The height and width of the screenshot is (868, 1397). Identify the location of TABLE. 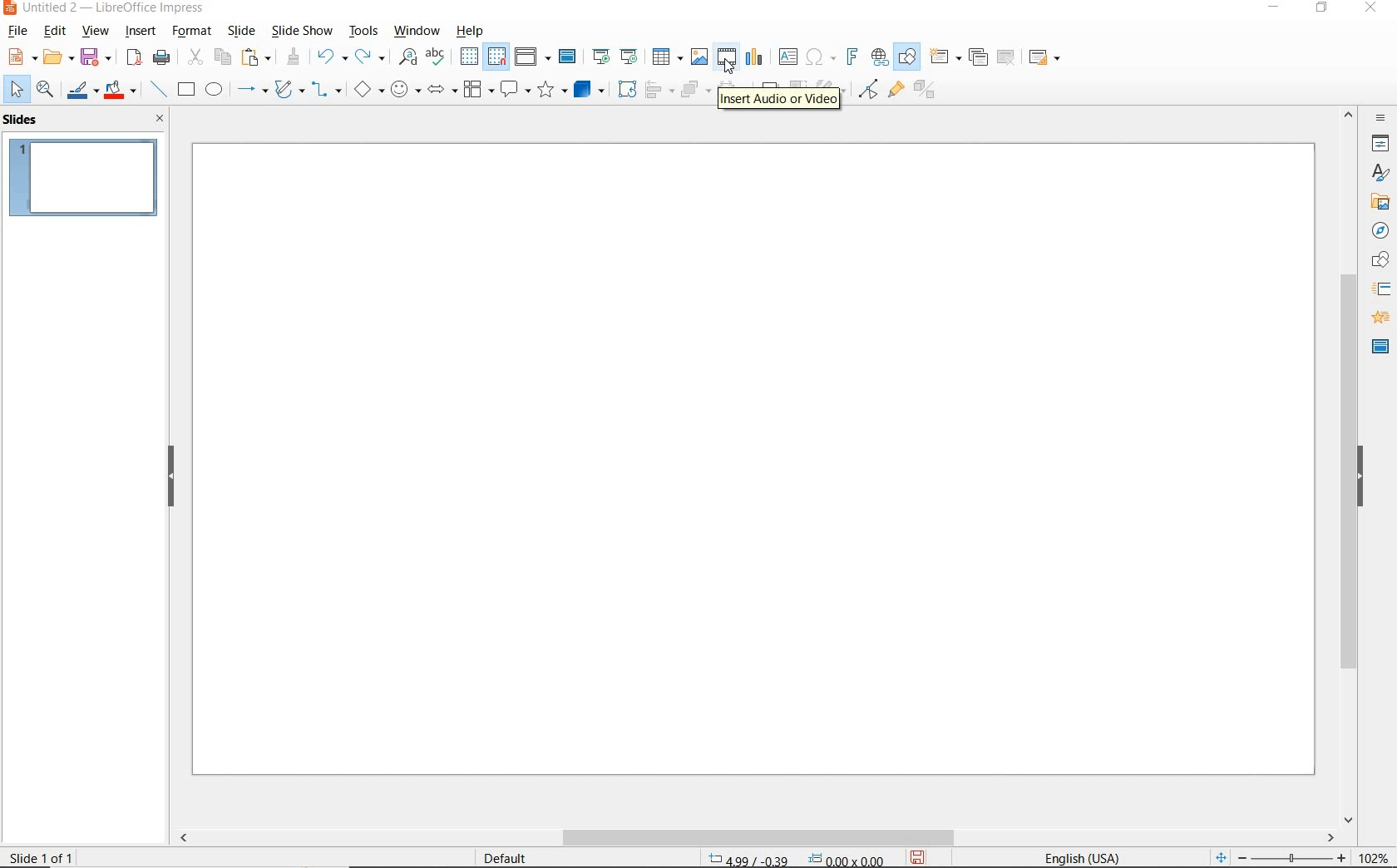
(669, 57).